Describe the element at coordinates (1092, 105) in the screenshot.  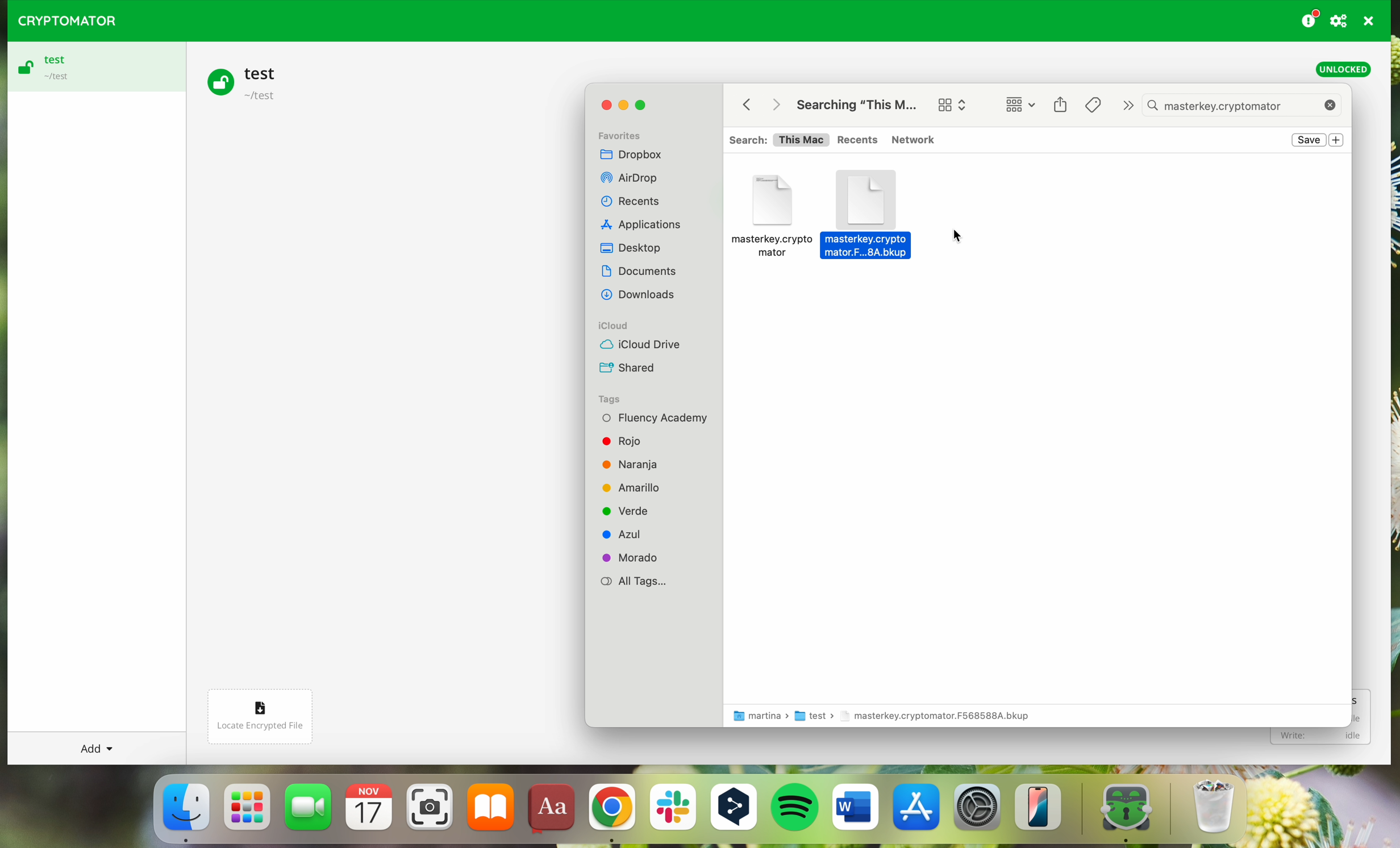
I see `Tags` at that location.